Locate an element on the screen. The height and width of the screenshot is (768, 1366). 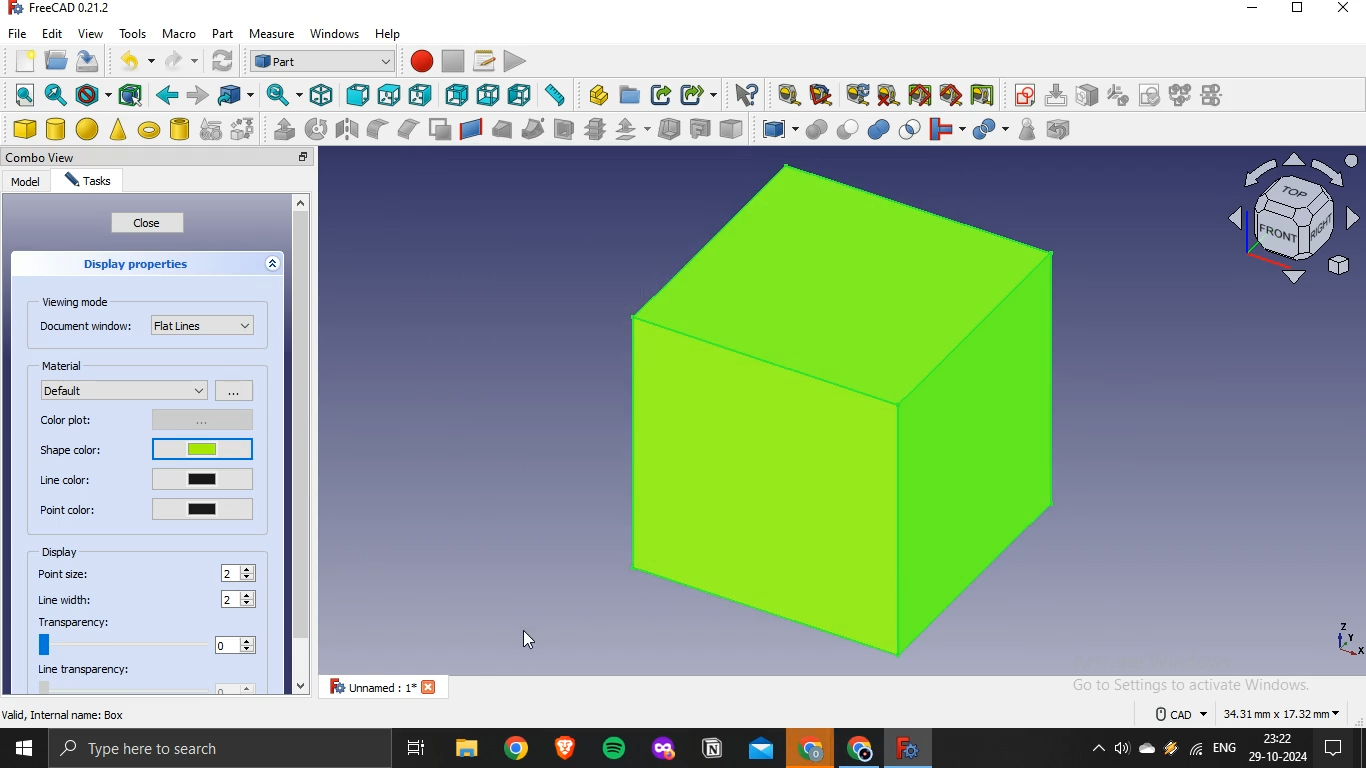
text is located at coordinates (1249, 711).